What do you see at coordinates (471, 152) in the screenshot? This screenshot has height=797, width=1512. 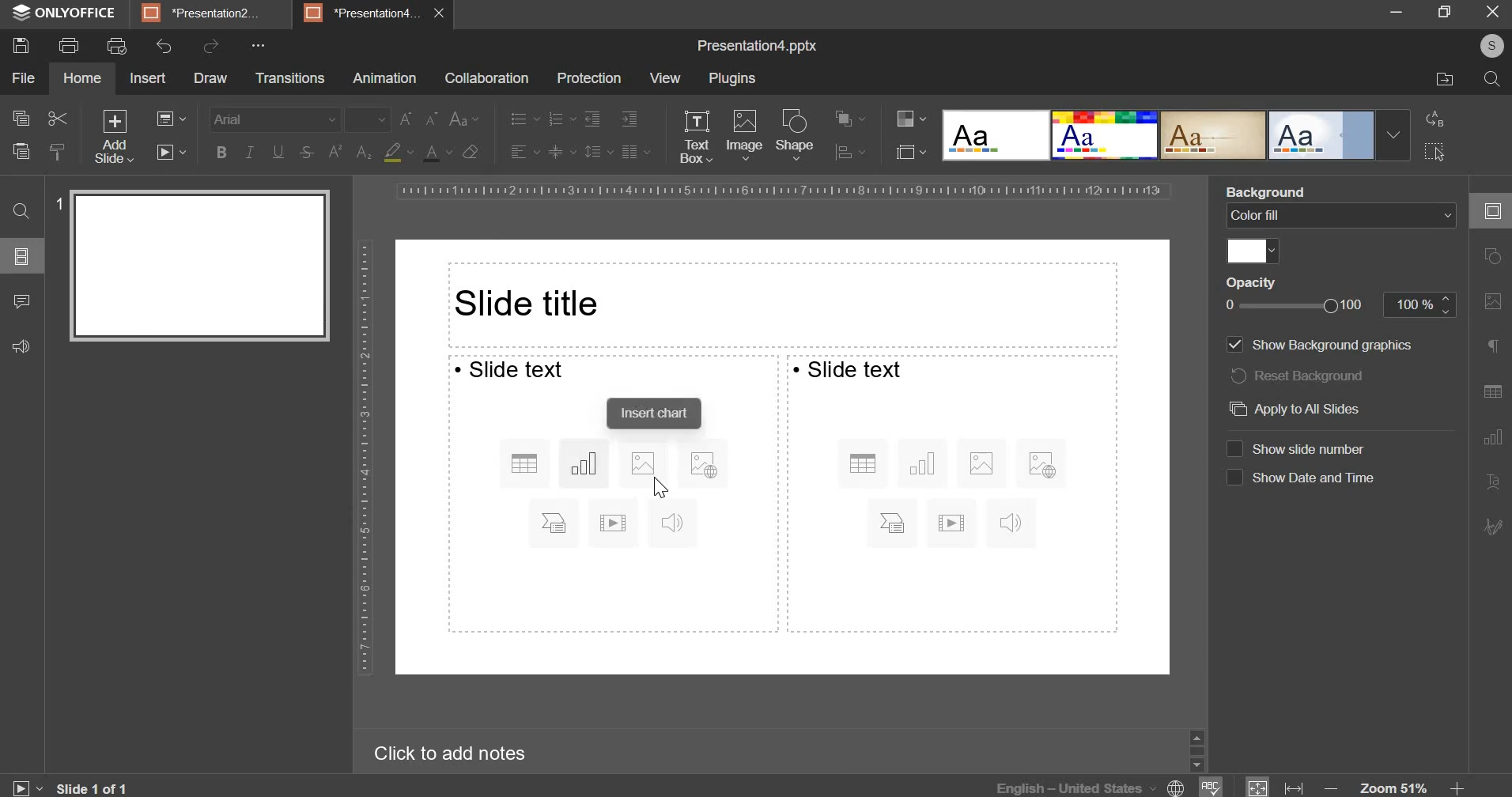 I see `clear styles` at bounding box center [471, 152].